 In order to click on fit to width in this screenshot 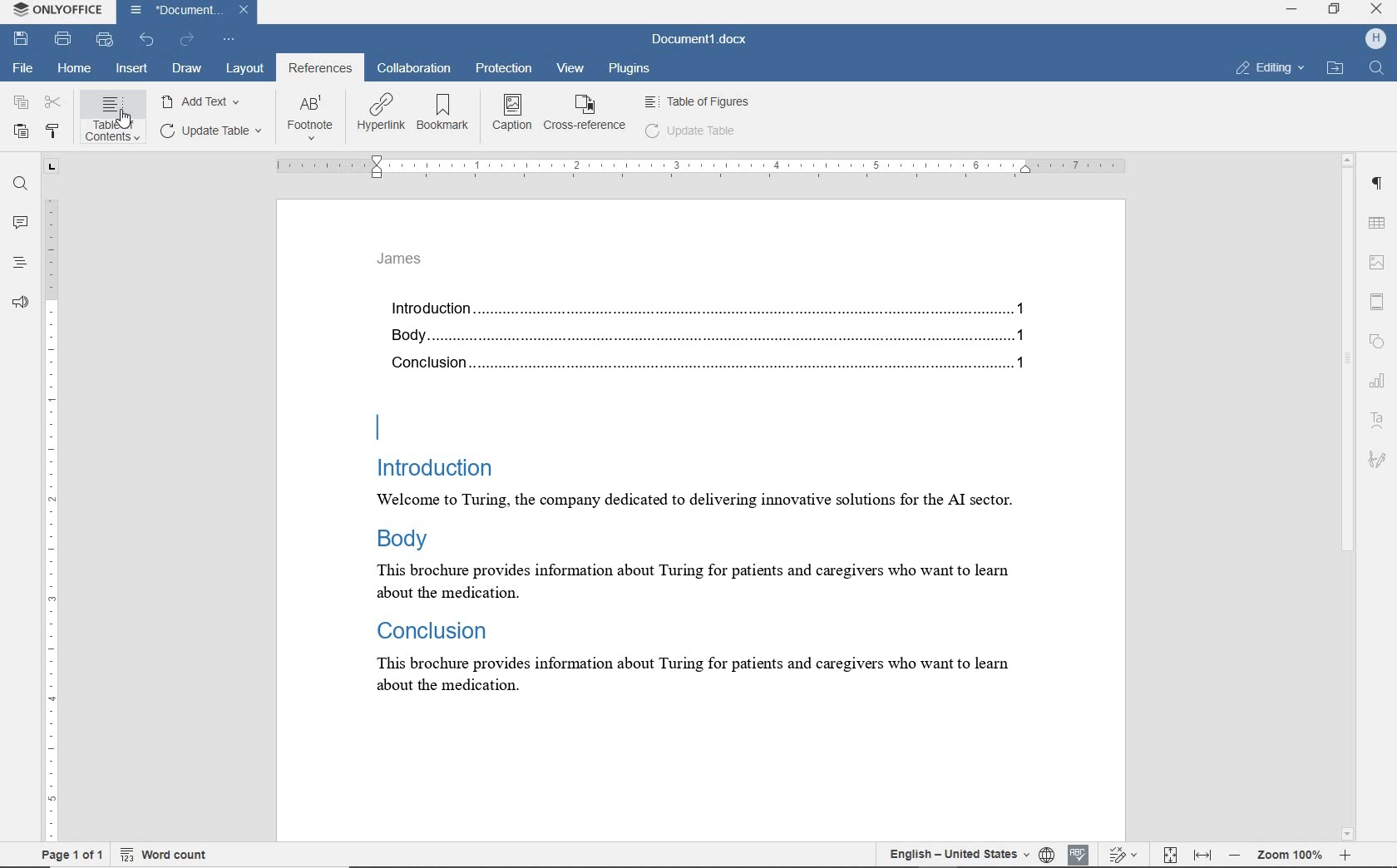, I will do `click(1202, 855)`.